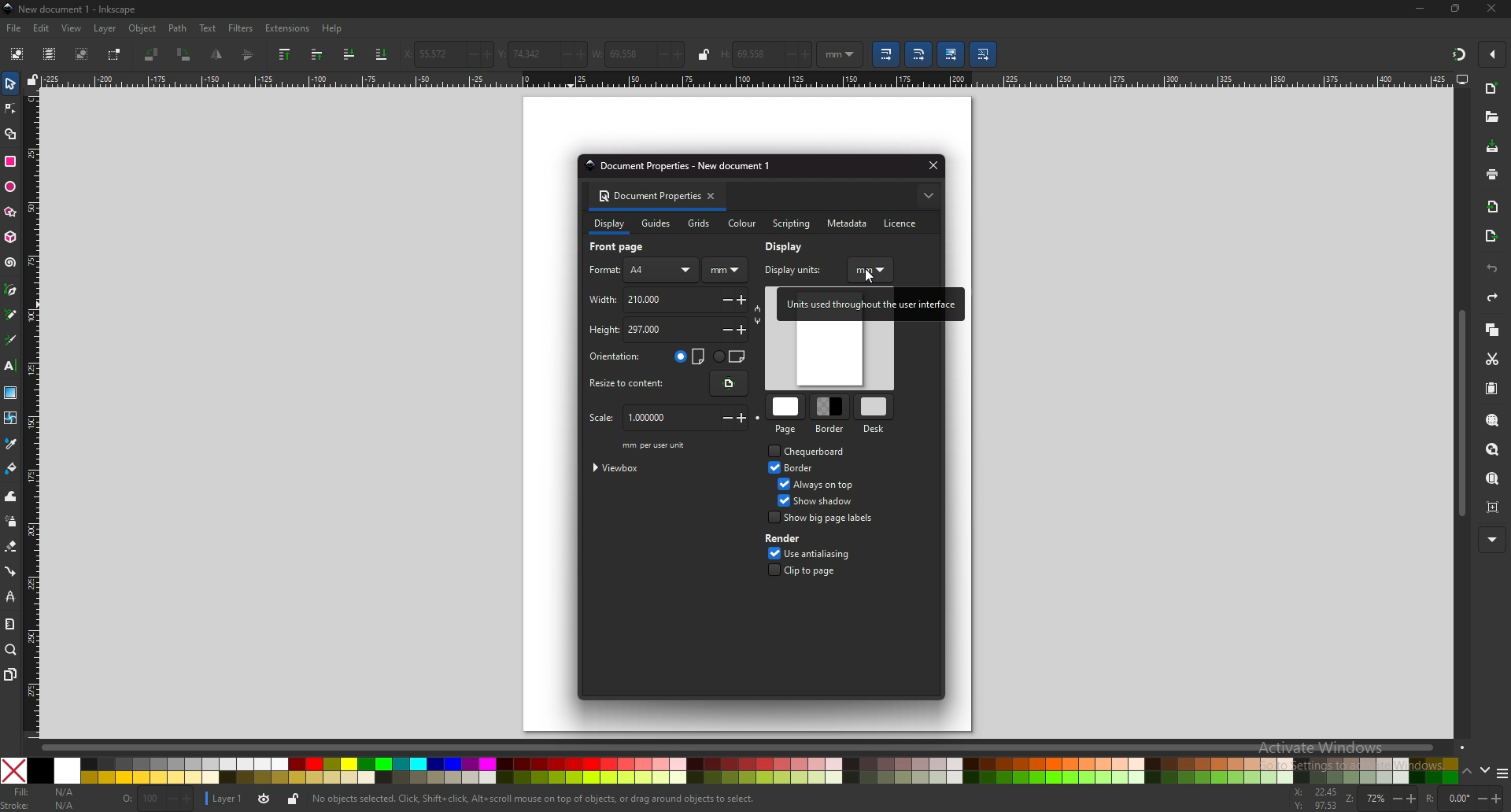  Describe the element at coordinates (82, 54) in the screenshot. I see `deselect selected object` at that location.